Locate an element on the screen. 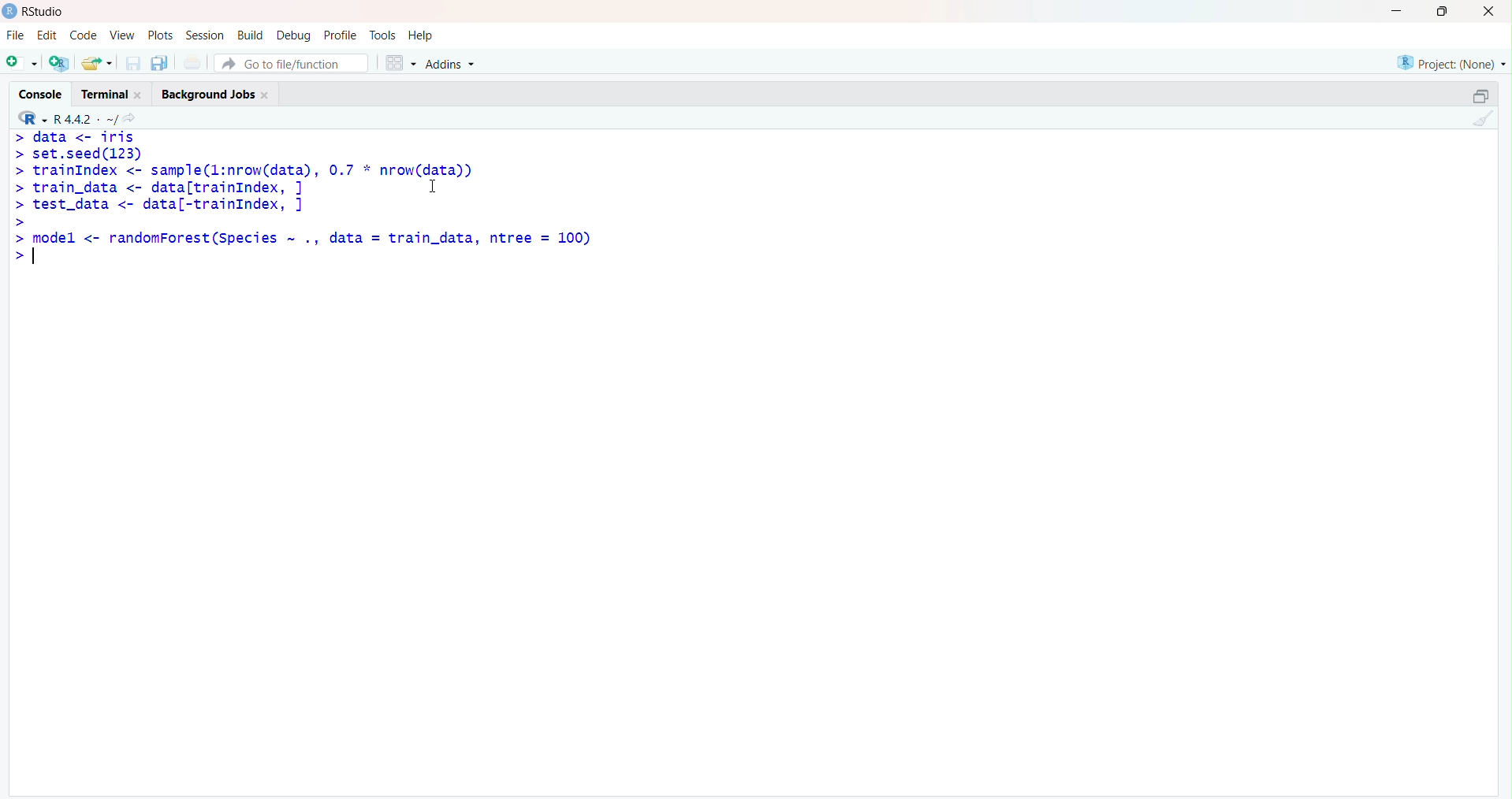 The width and height of the screenshot is (1512, 799). Profile is located at coordinates (340, 35).